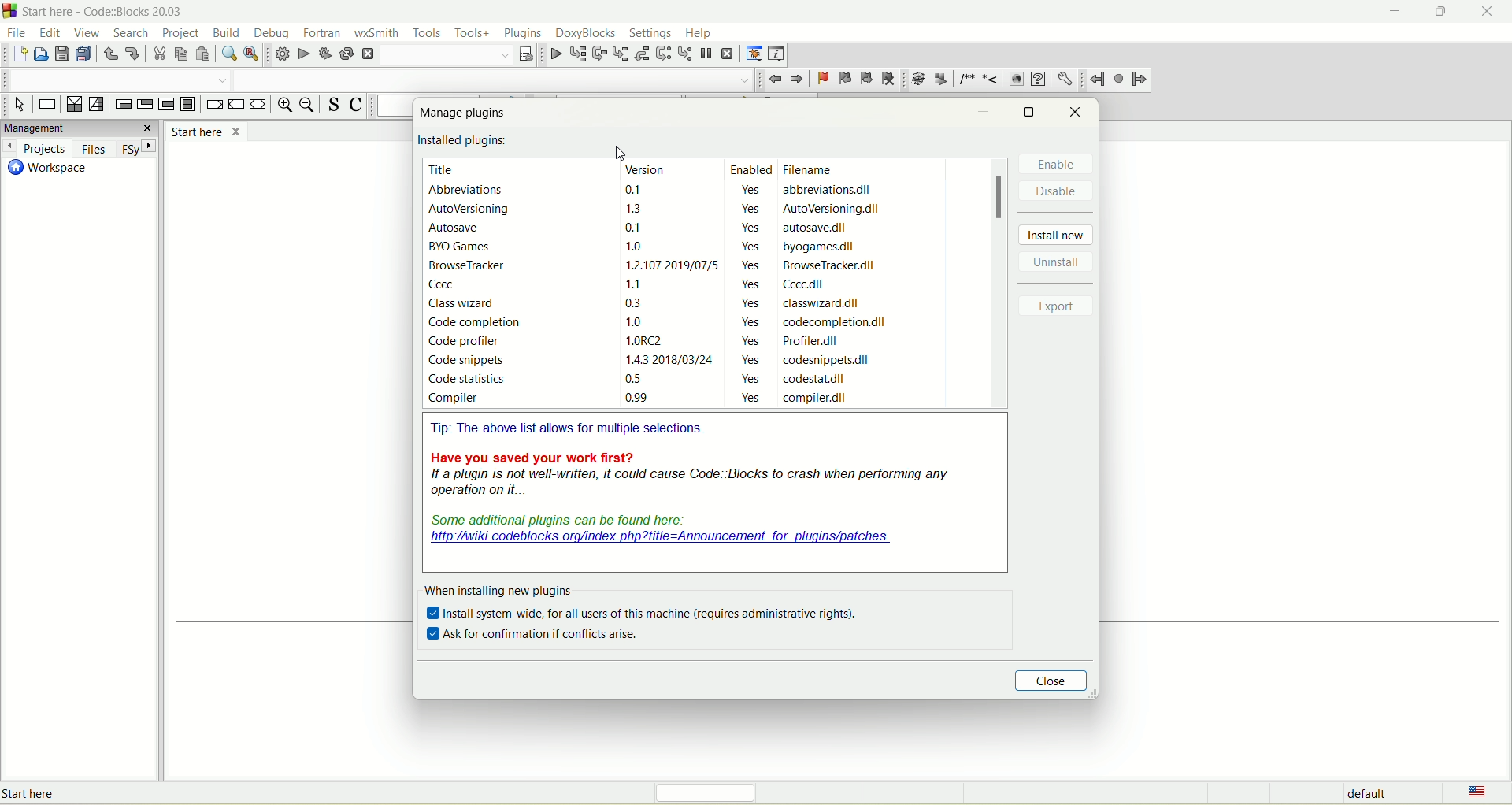 The image size is (1512, 805). What do you see at coordinates (188, 104) in the screenshot?
I see `block instructions` at bounding box center [188, 104].